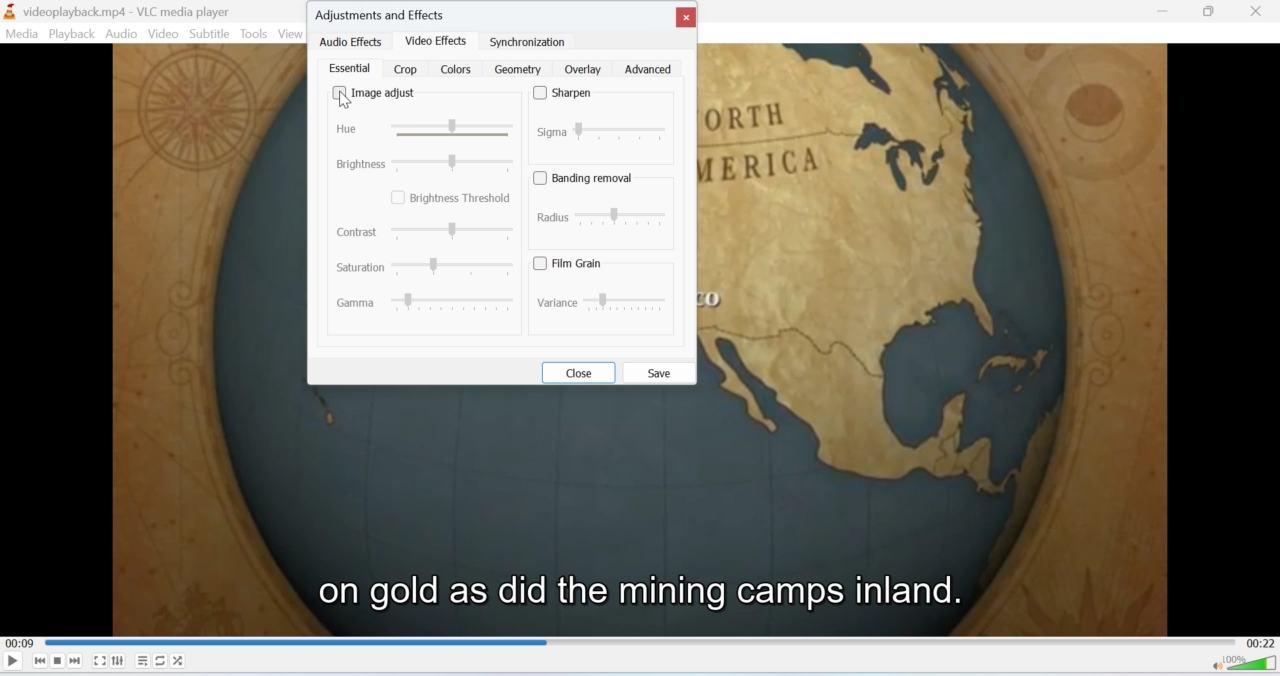 This screenshot has width=1280, height=676. Describe the element at coordinates (640, 641) in the screenshot. I see `Playbar` at that location.